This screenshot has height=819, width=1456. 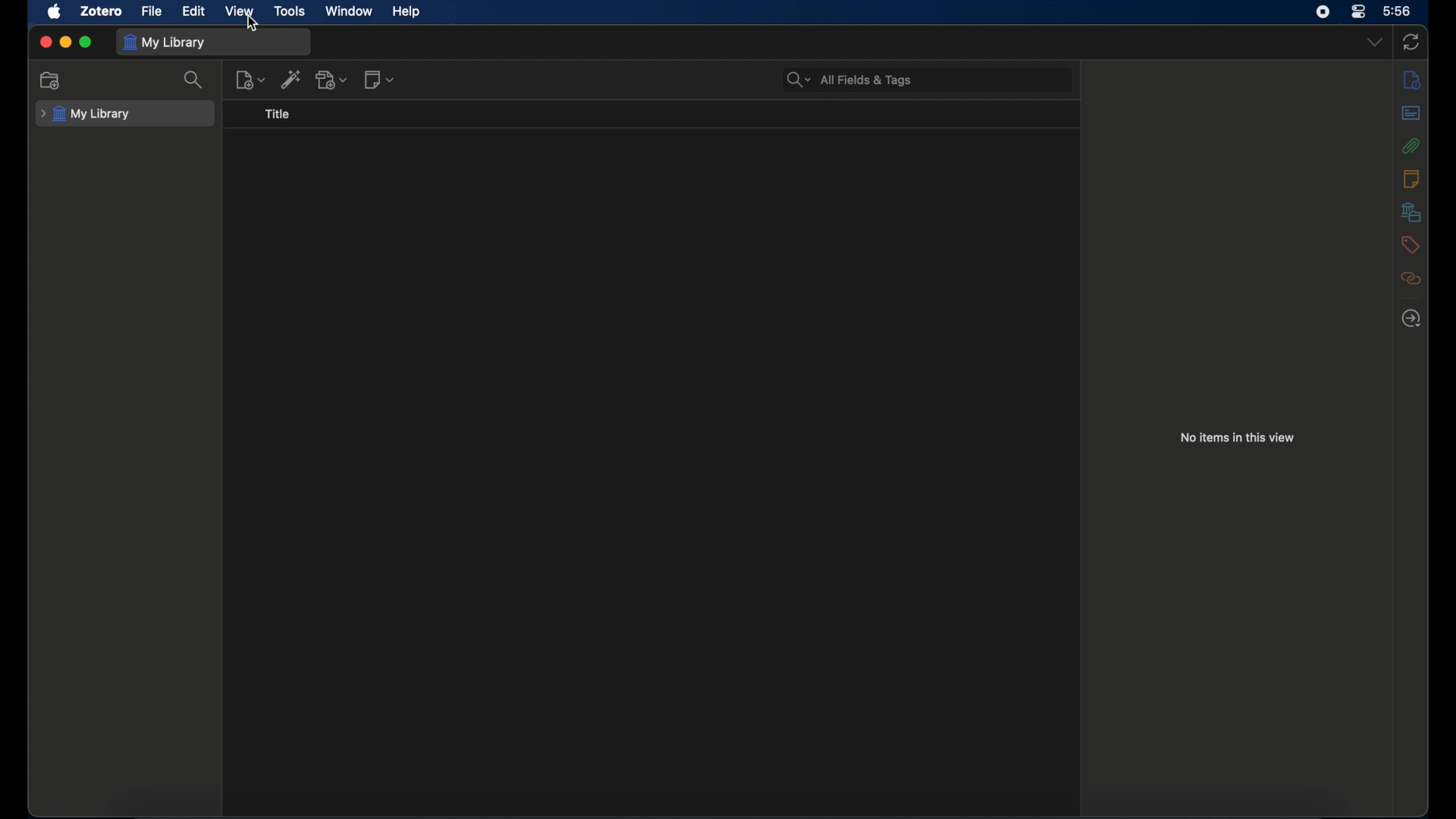 I want to click on notes, so click(x=1410, y=177).